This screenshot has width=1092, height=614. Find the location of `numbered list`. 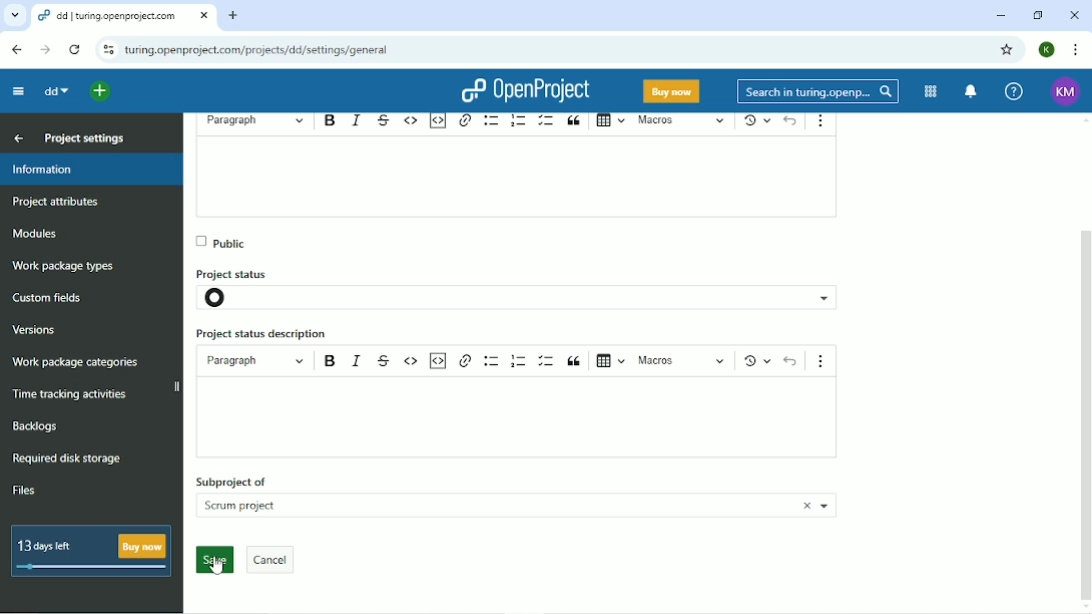

numbered list is located at coordinates (519, 359).